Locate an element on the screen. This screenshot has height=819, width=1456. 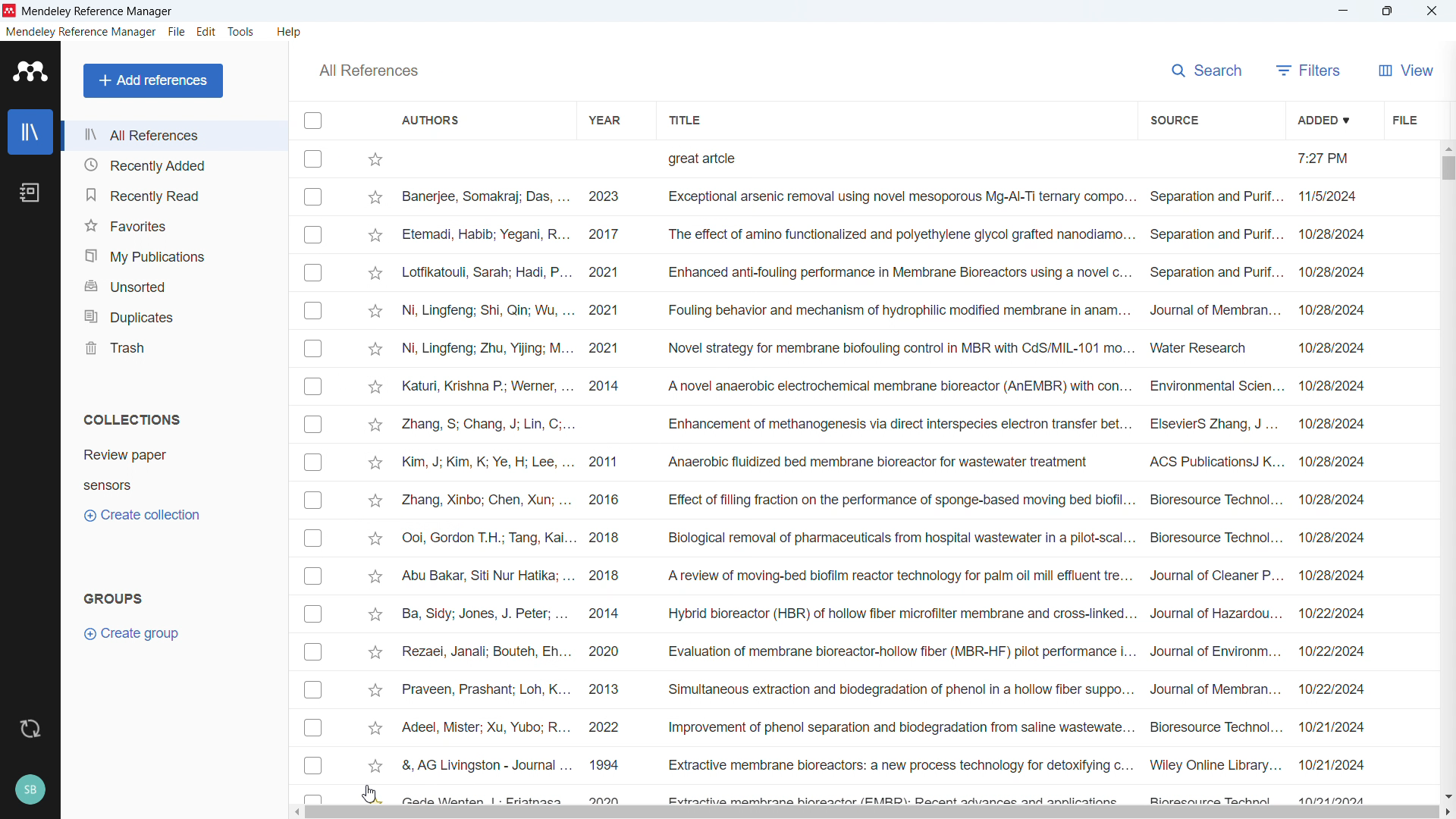
Profile  is located at coordinates (30, 790).